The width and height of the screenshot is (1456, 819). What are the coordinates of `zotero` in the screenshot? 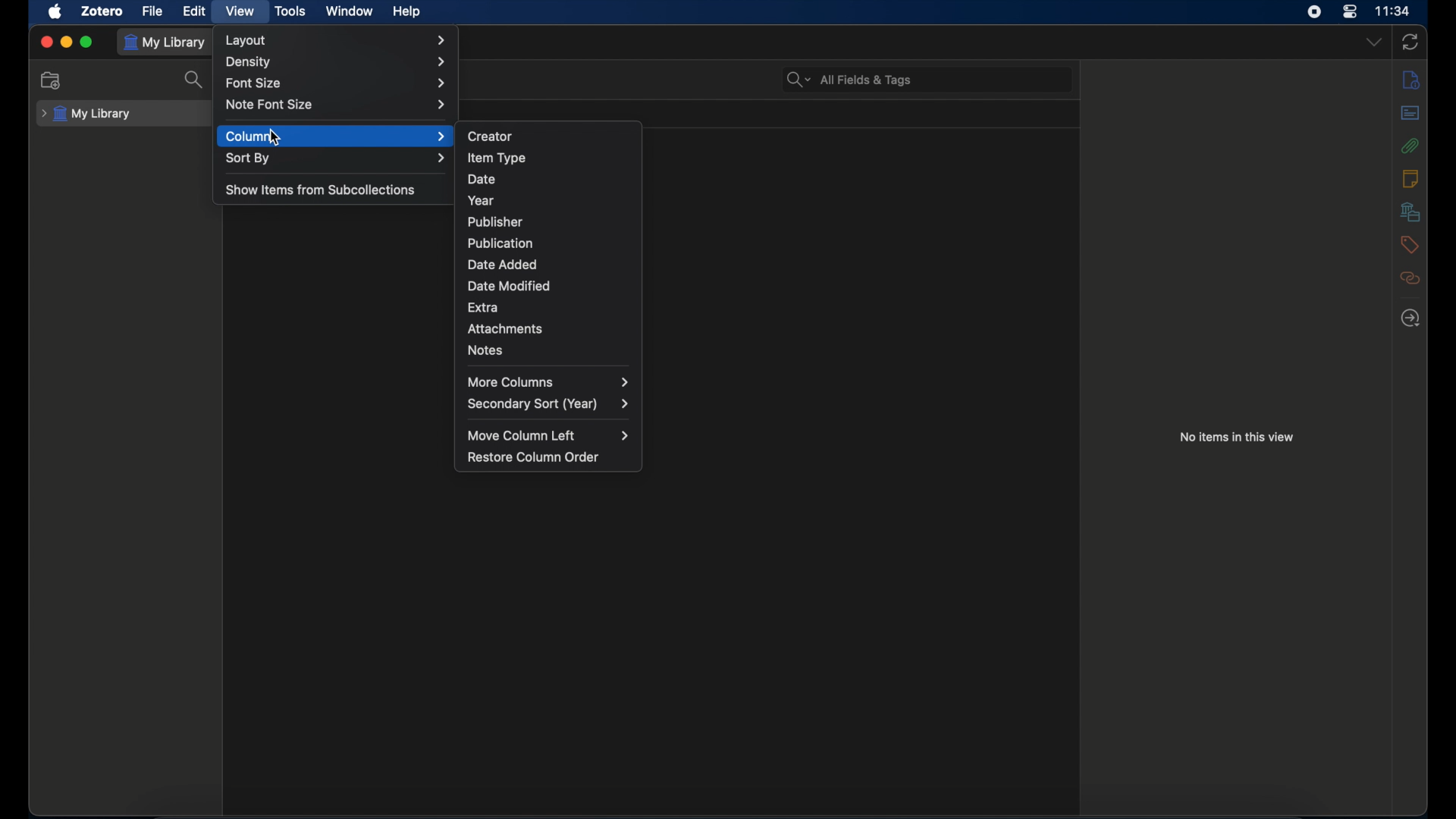 It's located at (102, 11).